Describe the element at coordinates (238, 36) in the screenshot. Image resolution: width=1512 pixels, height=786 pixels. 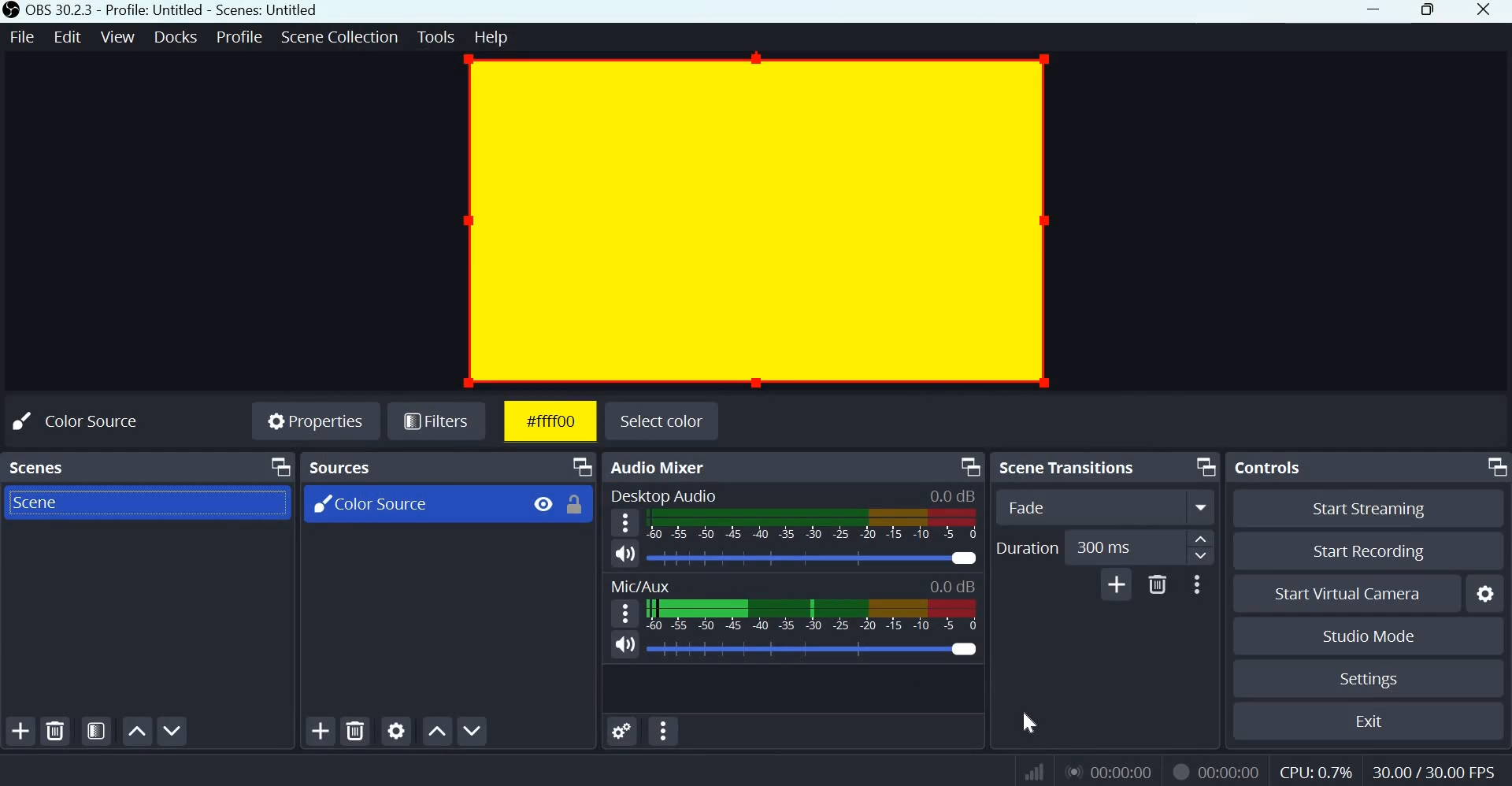
I see `Profile` at that location.